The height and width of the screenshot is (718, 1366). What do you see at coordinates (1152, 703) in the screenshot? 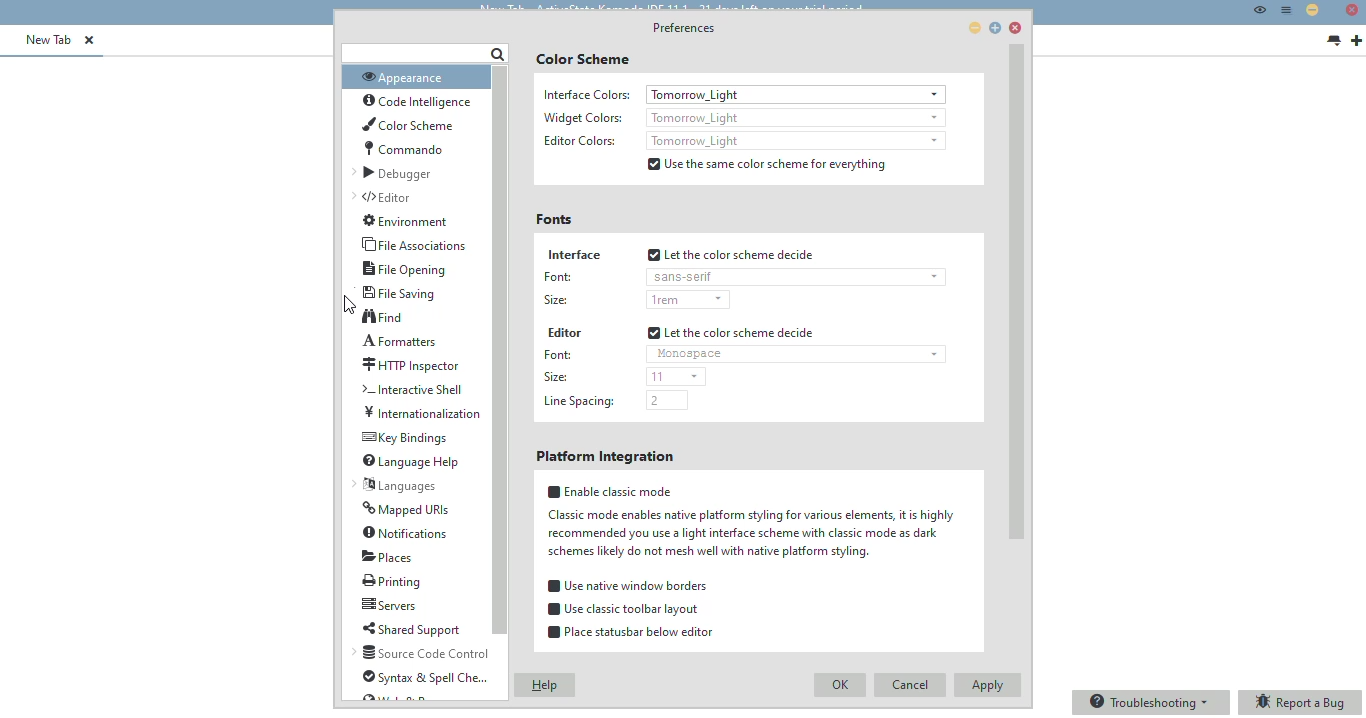
I see `troubleshooting` at bounding box center [1152, 703].